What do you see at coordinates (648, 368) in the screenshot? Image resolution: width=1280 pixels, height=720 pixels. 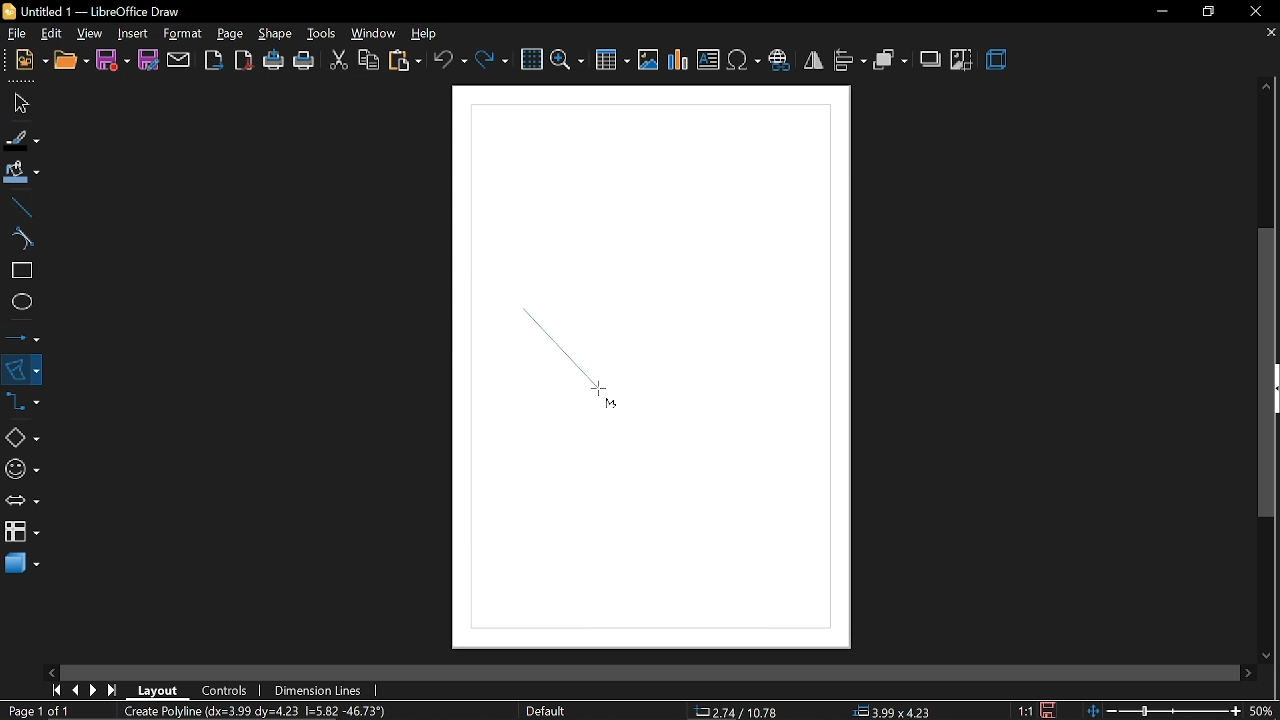 I see `Canvas` at bounding box center [648, 368].